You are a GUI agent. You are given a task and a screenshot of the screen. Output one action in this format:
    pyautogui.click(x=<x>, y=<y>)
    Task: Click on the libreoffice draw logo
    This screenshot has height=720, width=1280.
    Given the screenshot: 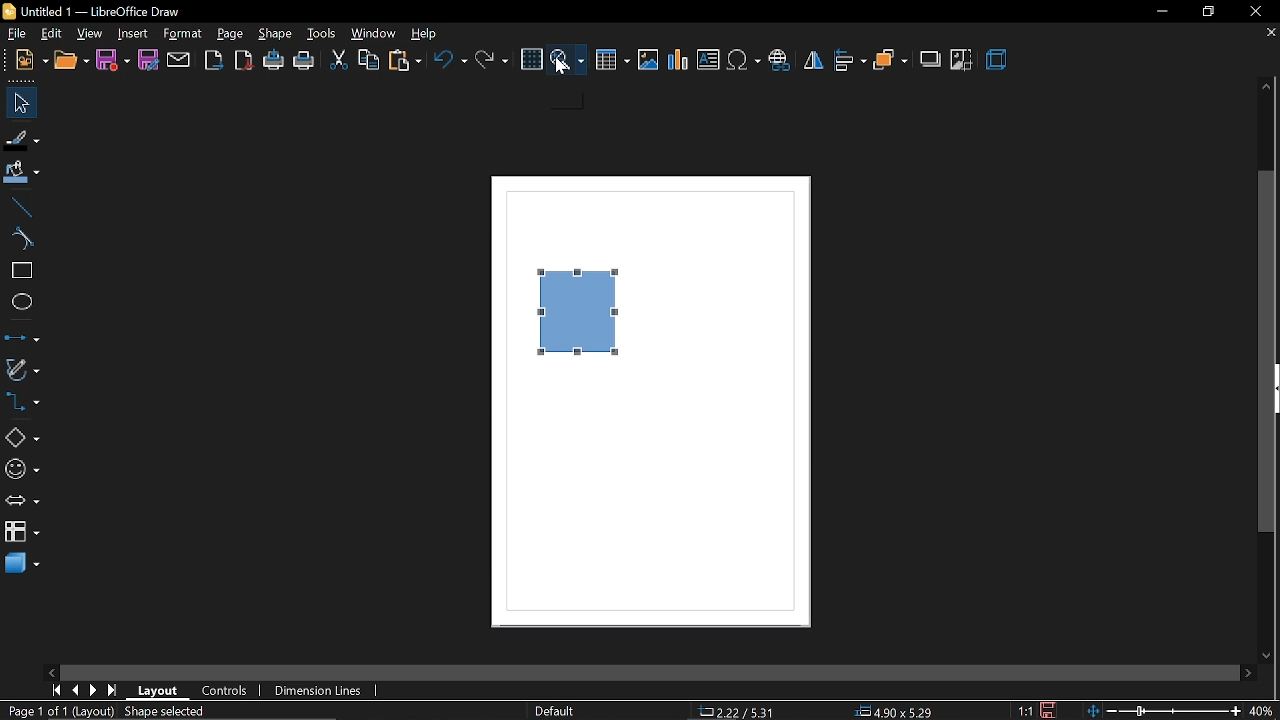 What is the action you would take?
    pyautogui.click(x=8, y=11)
    